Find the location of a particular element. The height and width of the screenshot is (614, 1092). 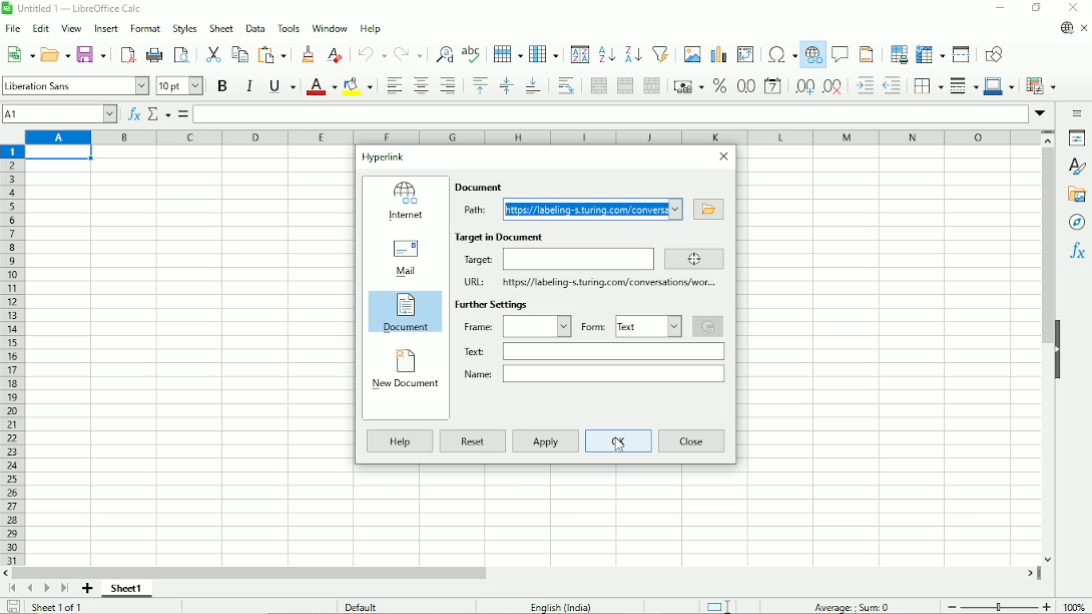

Headers and footers is located at coordinates (866, 53).